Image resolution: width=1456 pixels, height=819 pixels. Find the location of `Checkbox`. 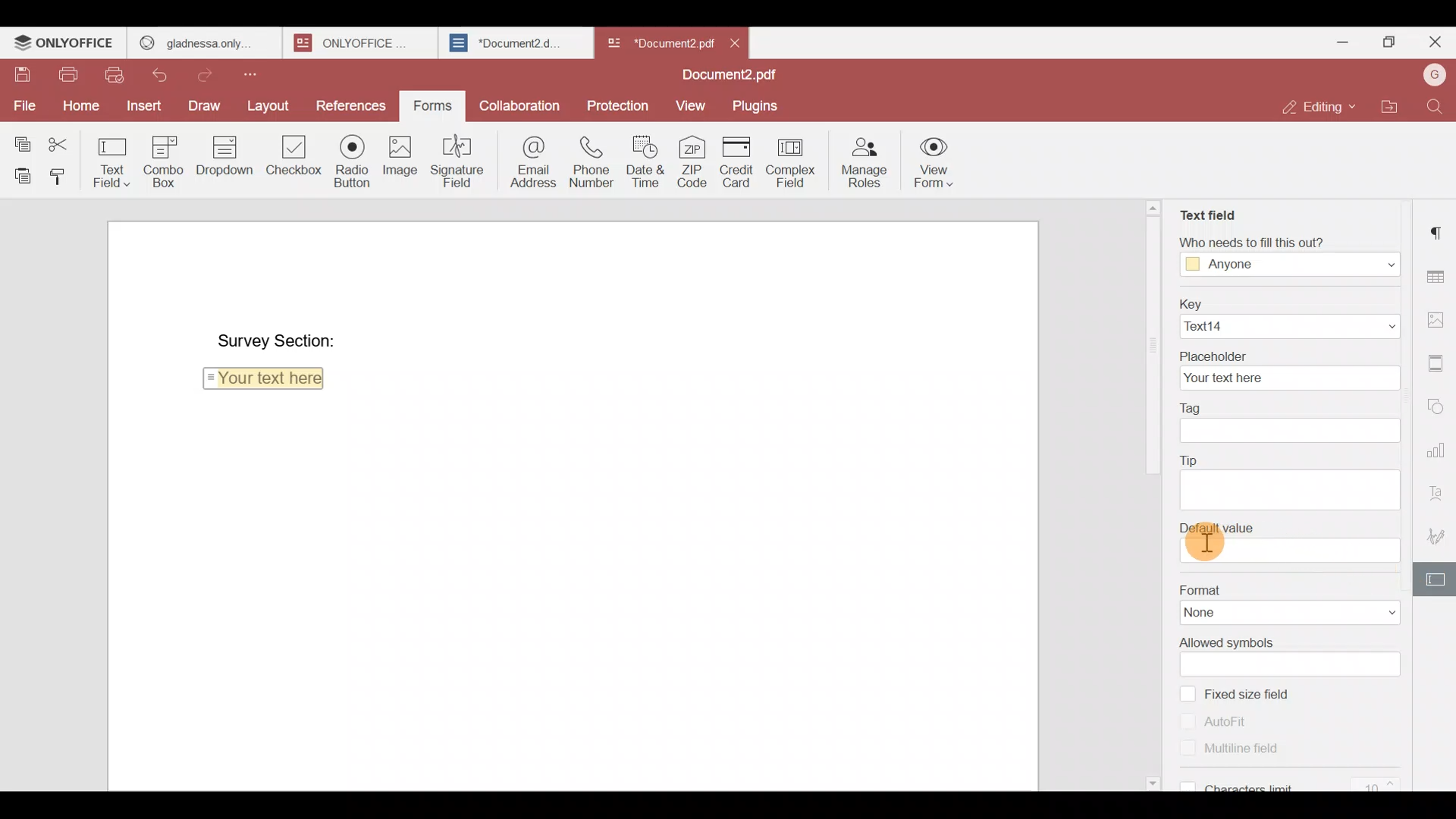

Checkbox is located at coordinates (290, 159).